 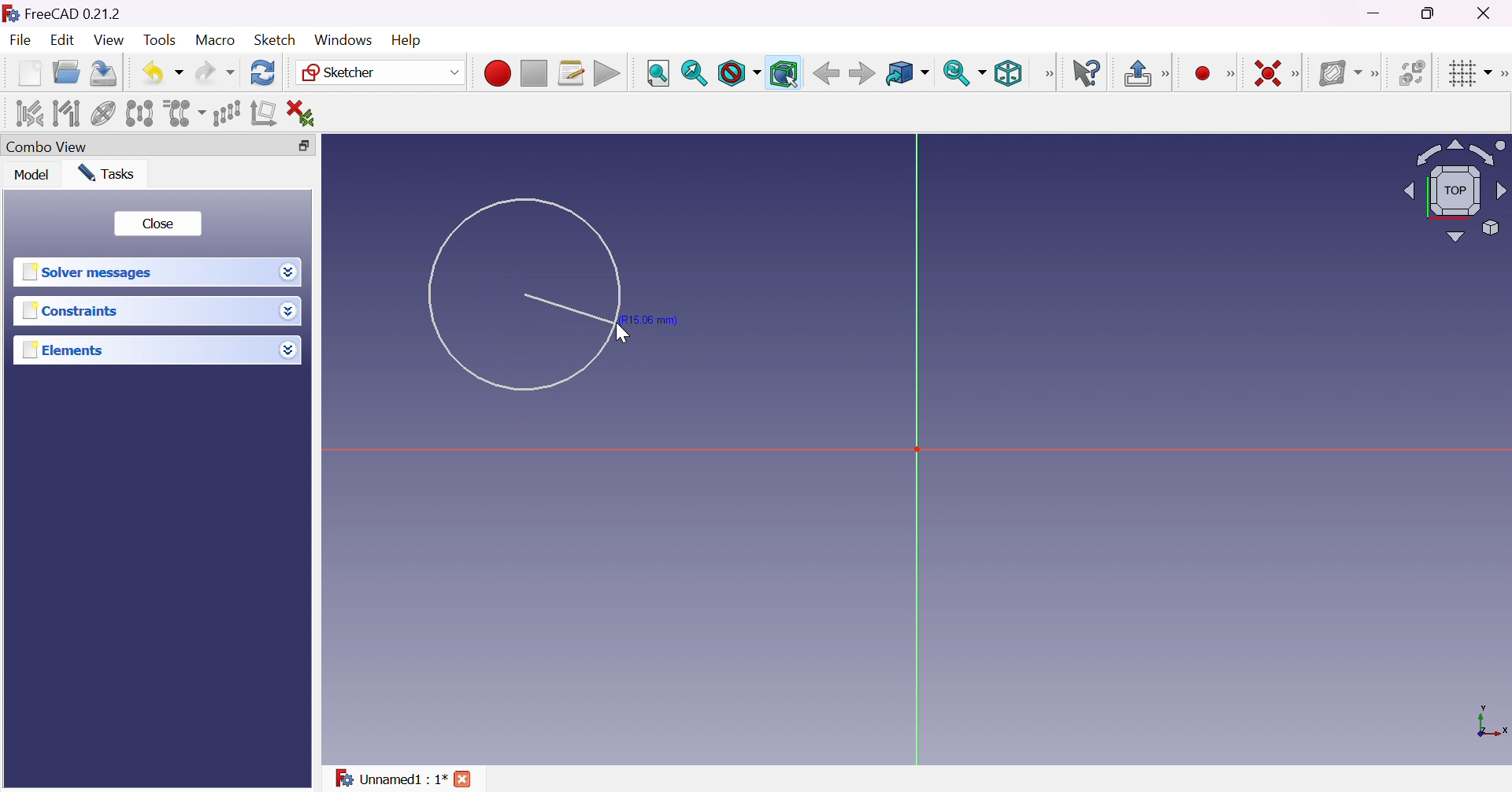 What do you see at coordinates (274, 39) in the screenshot?
I see `Sketch` at bounding box center [274, 39].